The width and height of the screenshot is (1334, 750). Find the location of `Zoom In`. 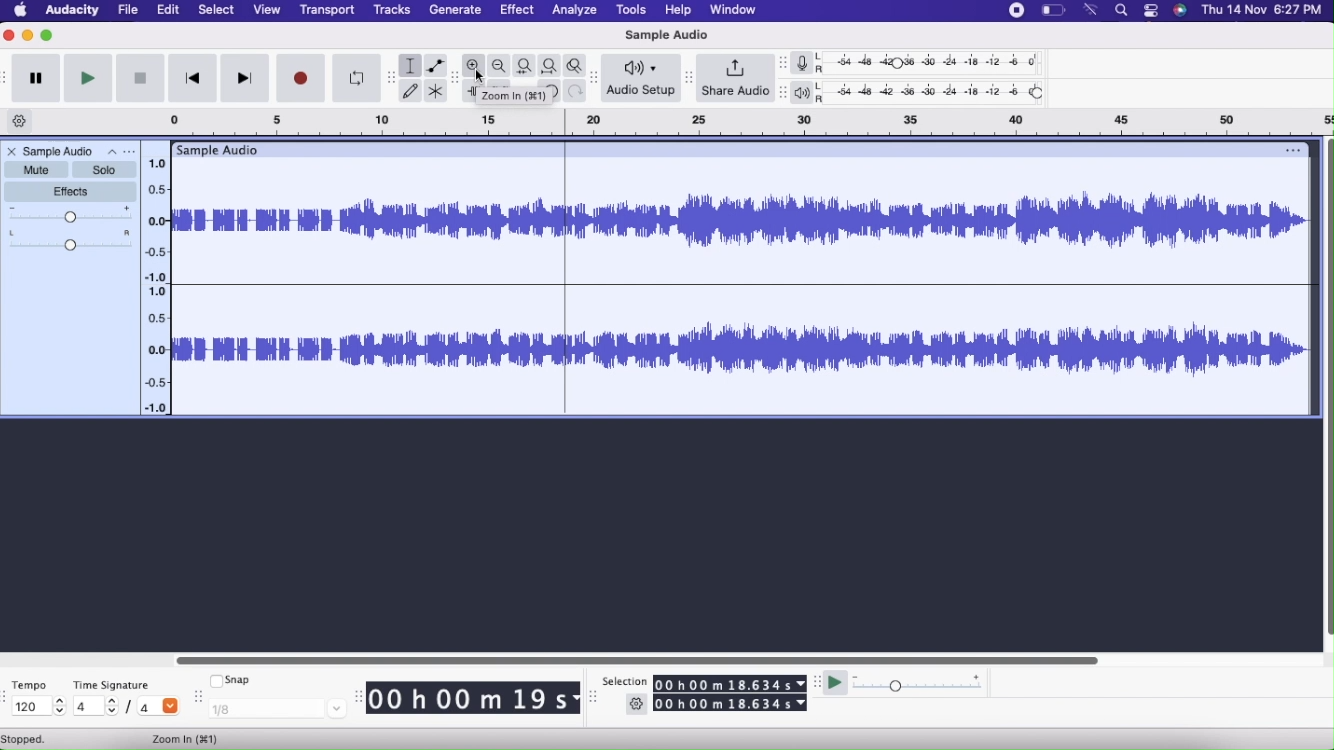

Zoom In is located at coordinates (188, 739).